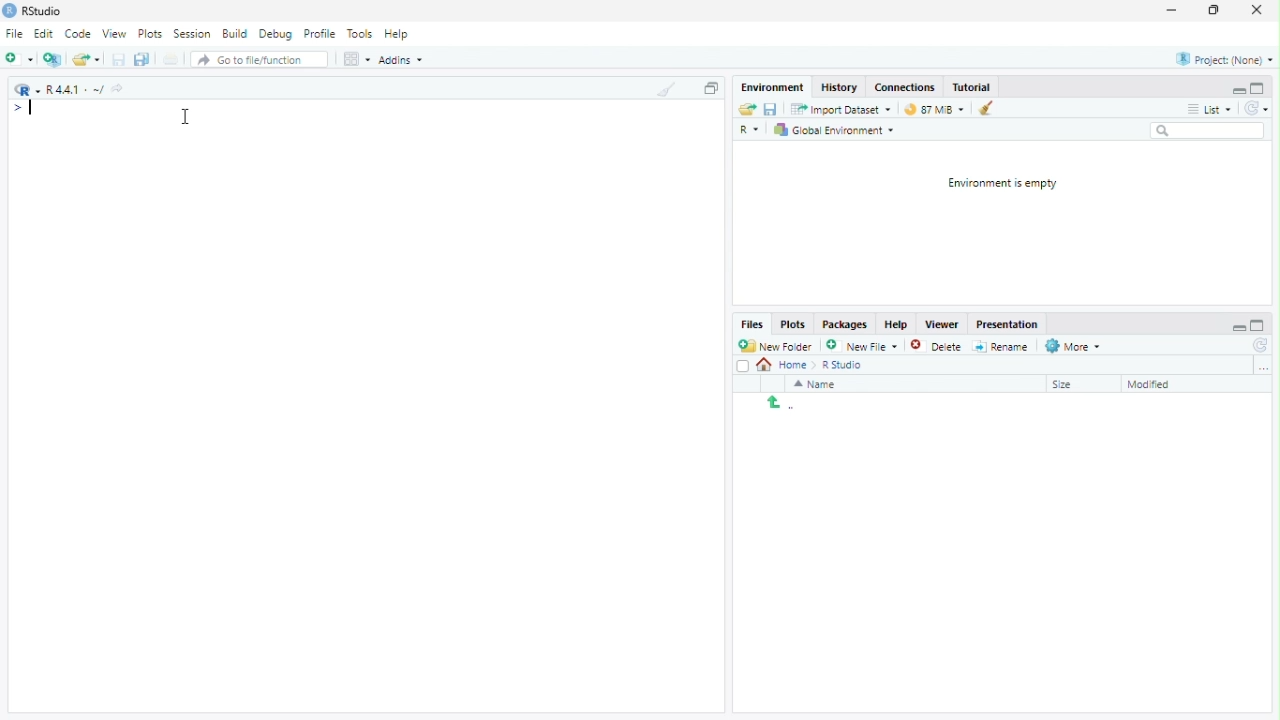 The height and width of the screenshot is (720, 1280). What do you see at coordinates (905, 86) in the screenshot?
I see `Connections` at bounding box center [905, 86].